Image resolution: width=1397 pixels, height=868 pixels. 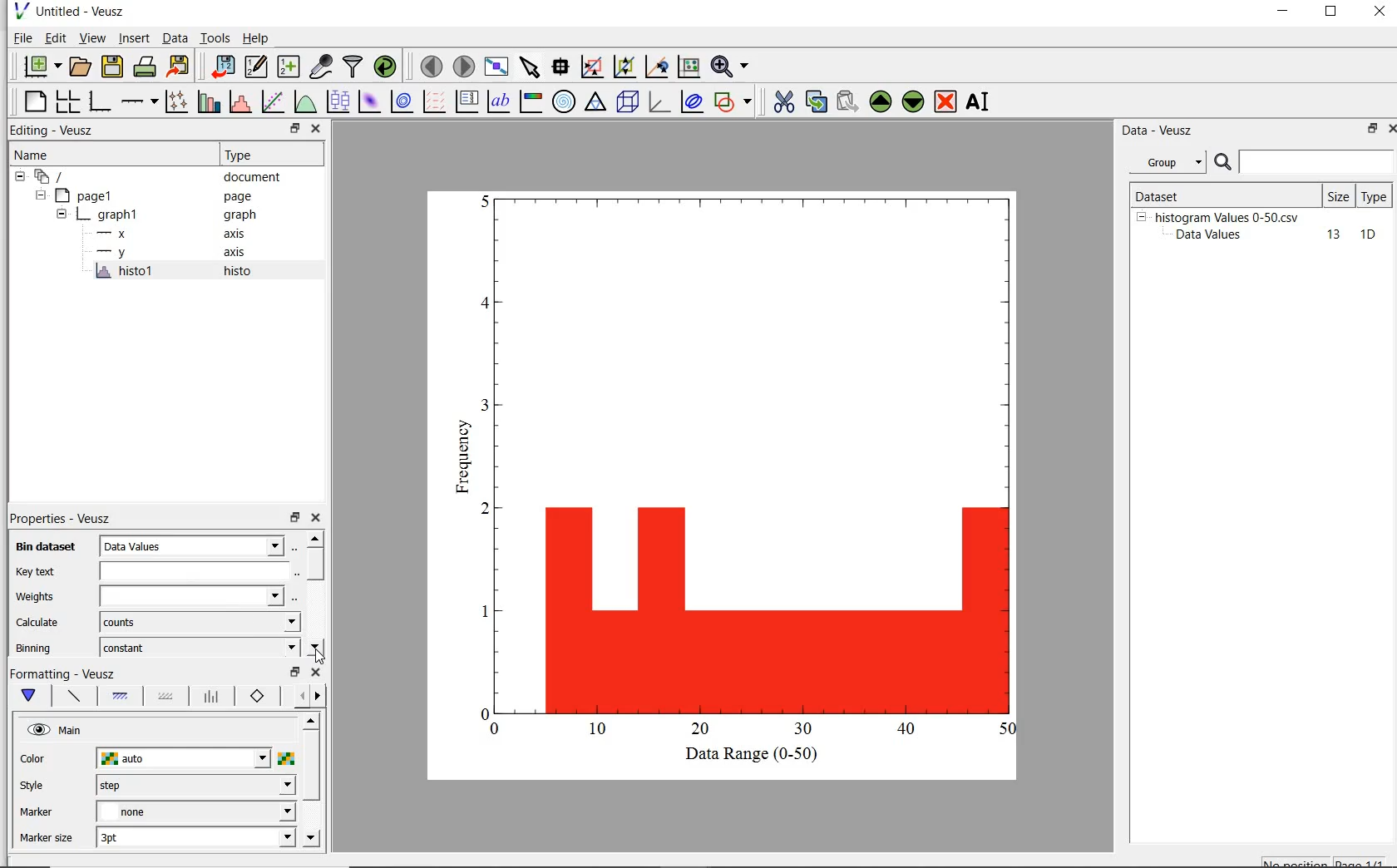 I want to click on move up the selected widget, so click(x=879, y=102).